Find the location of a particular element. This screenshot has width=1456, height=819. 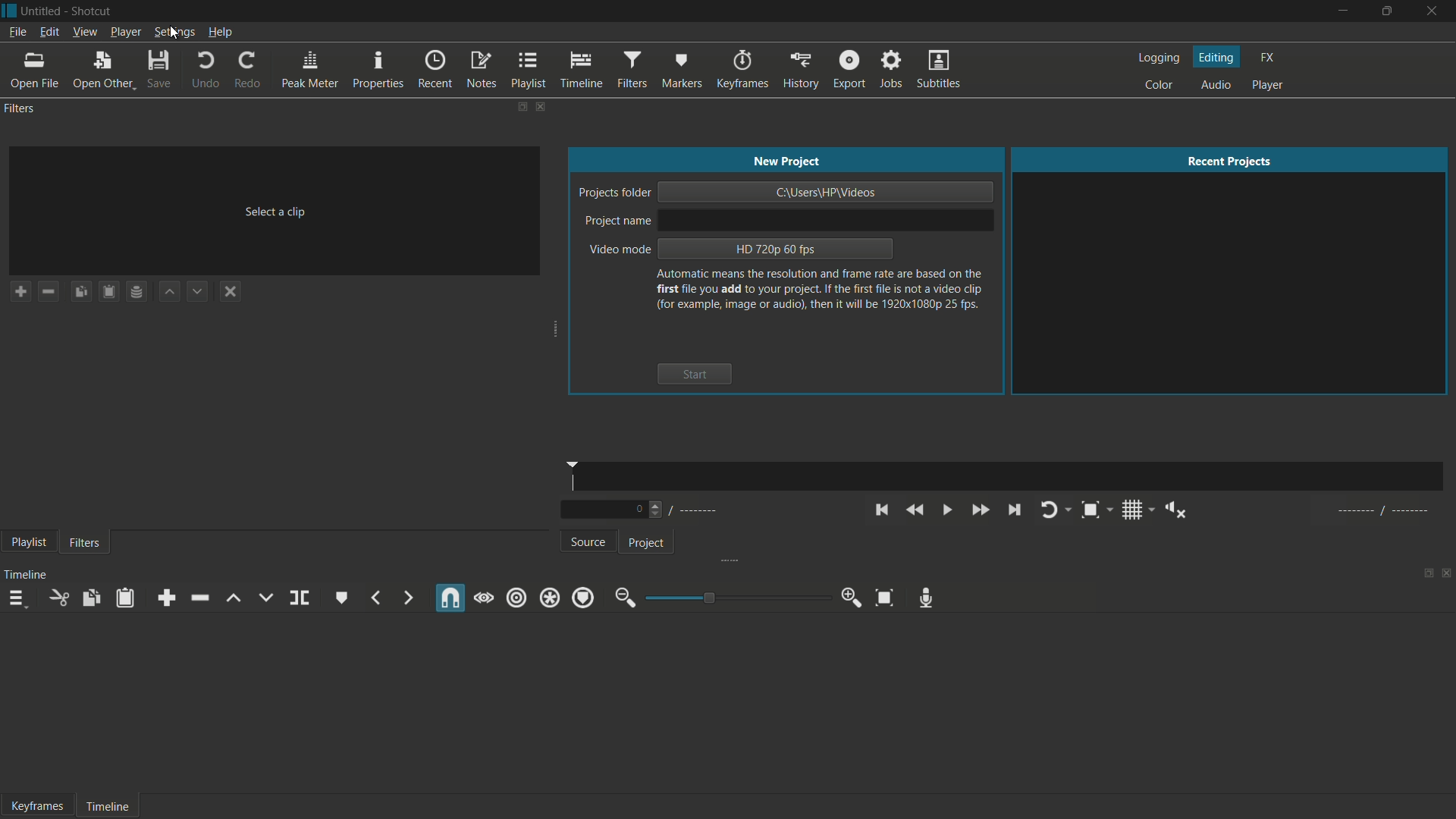

paste filters is located at coordinates (110, 291).